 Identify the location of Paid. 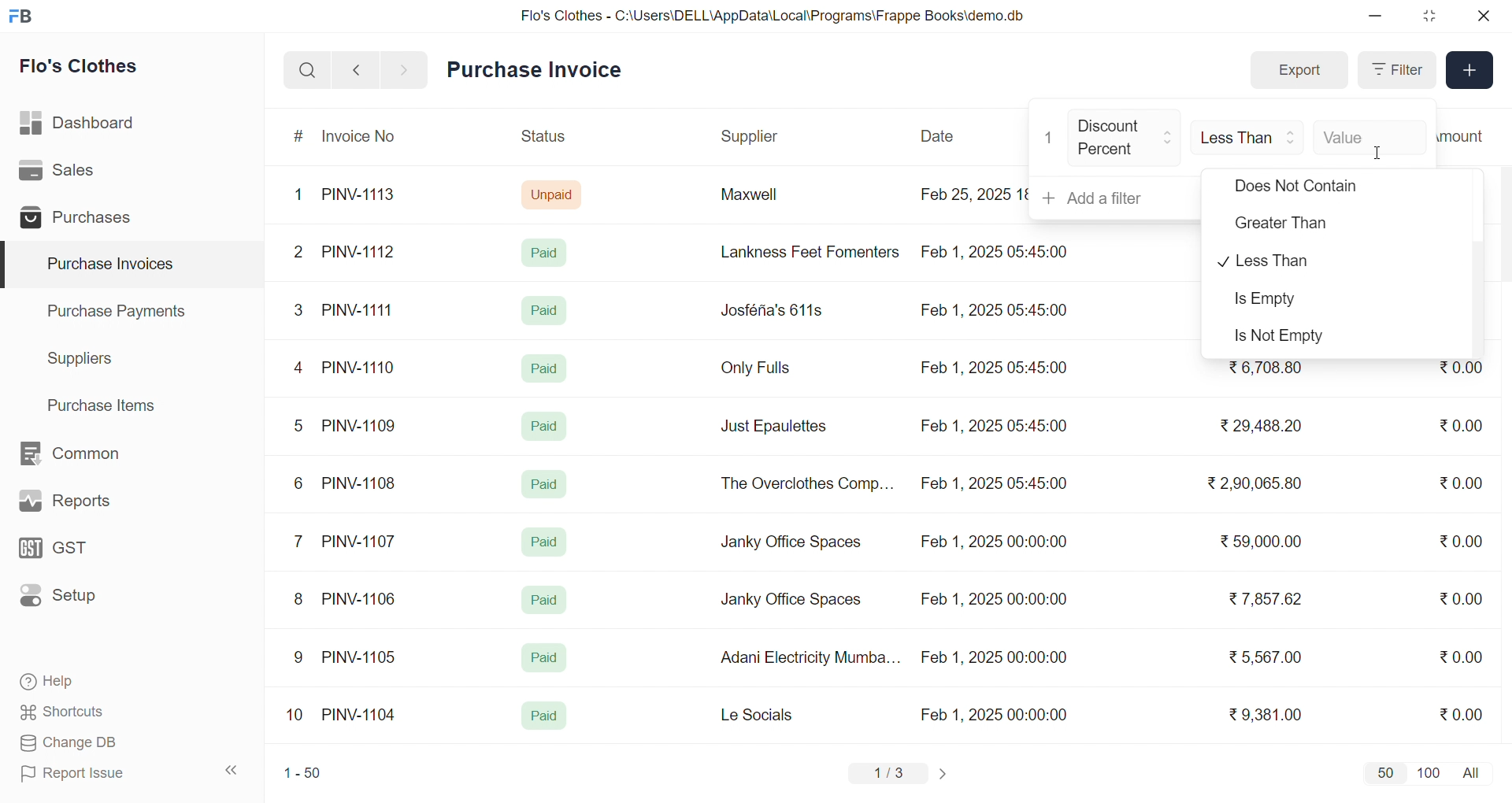
(545, 600).